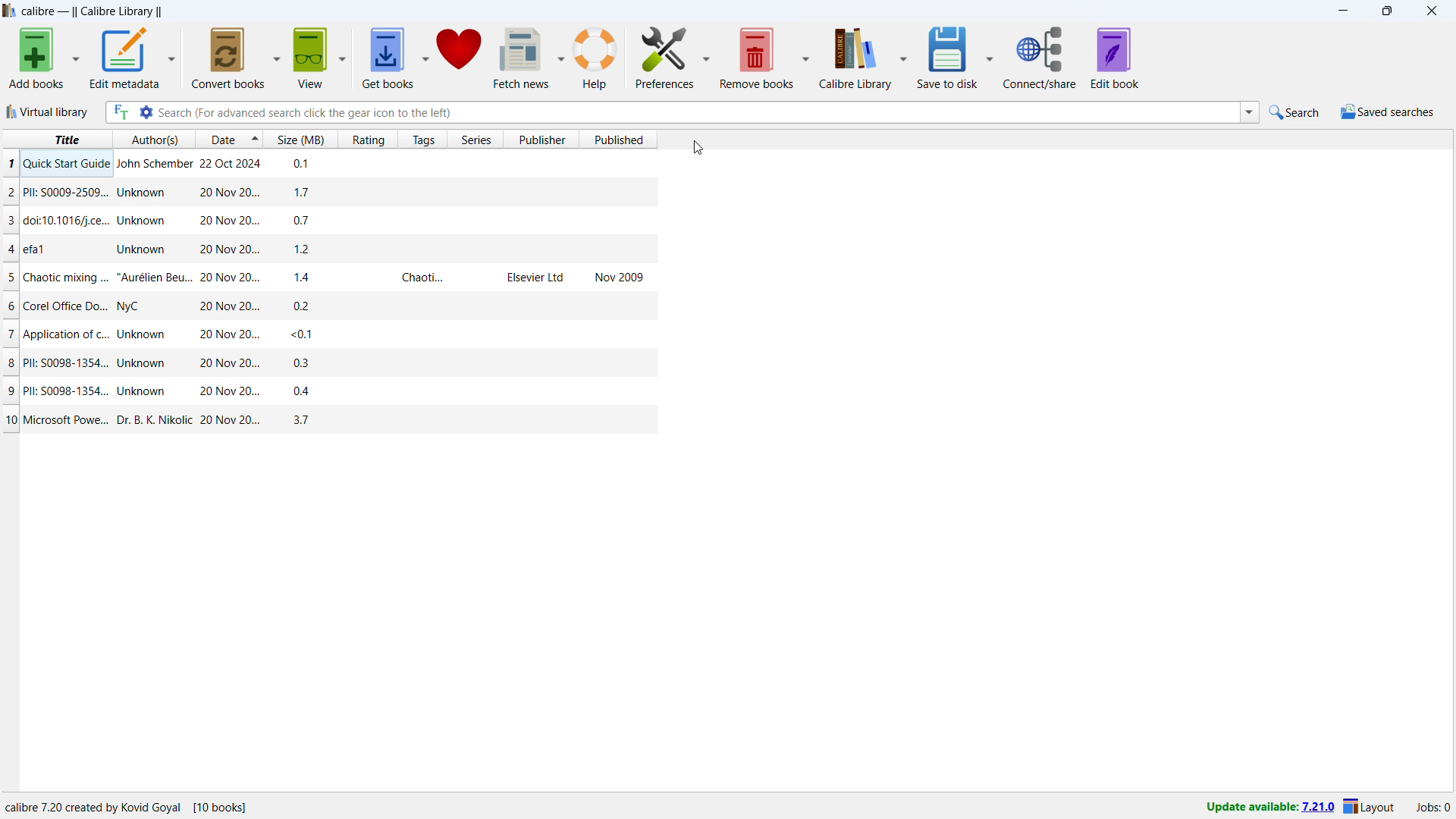 The image size is (1456, 819). I want to click on remove books, so click(757, 56).